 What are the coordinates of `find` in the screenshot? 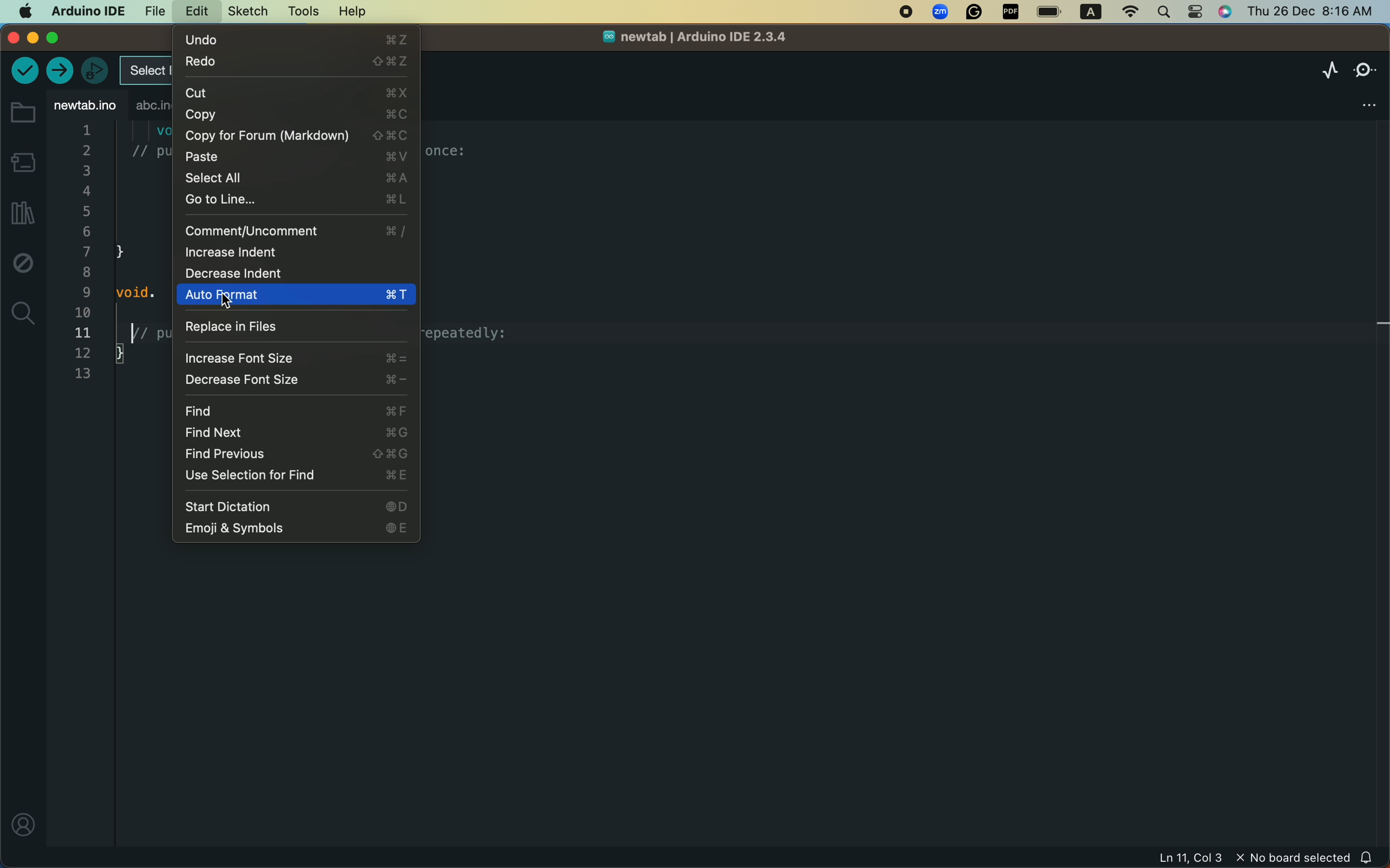 It's located at (296, 476).